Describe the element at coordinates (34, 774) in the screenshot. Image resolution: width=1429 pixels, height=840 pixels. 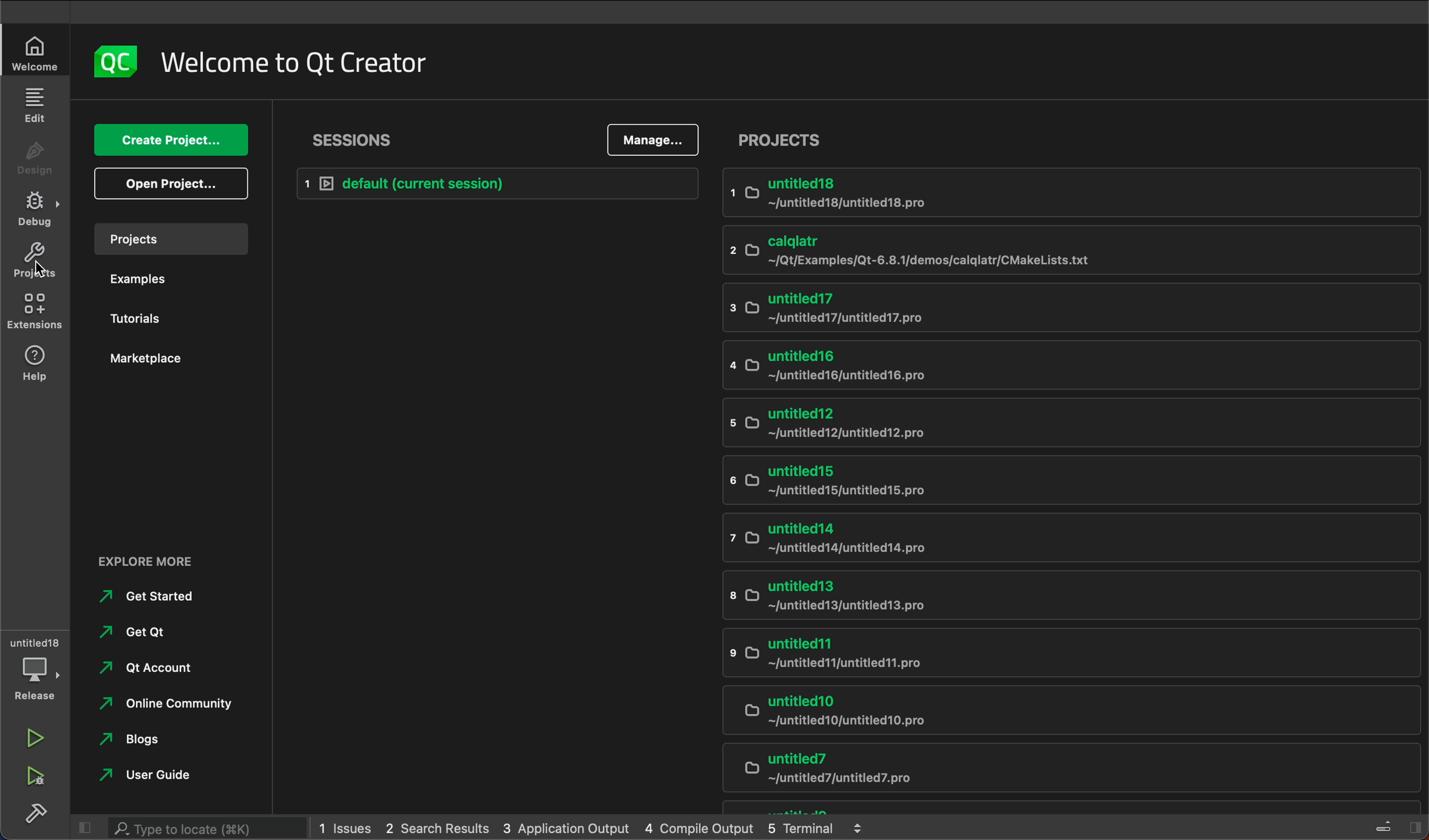
I see `run and debug` at that location.